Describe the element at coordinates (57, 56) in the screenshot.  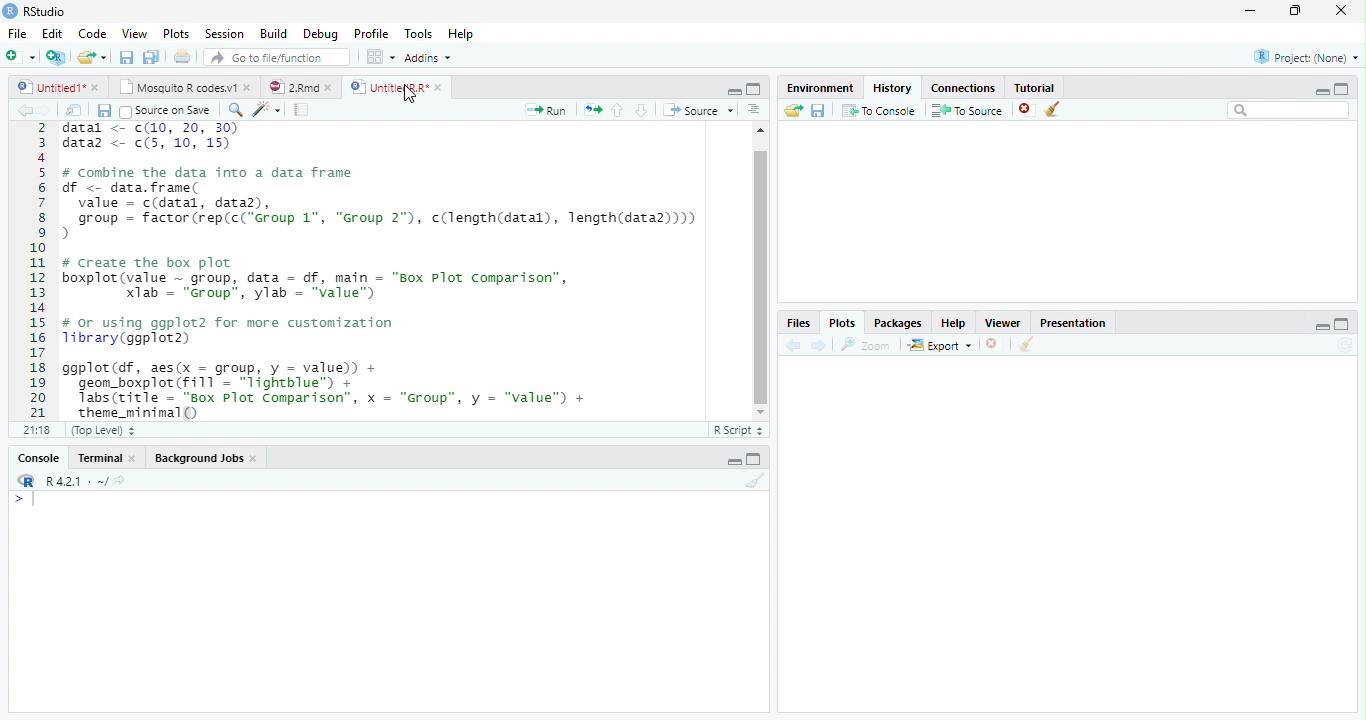
I see `Create a project` at that location.